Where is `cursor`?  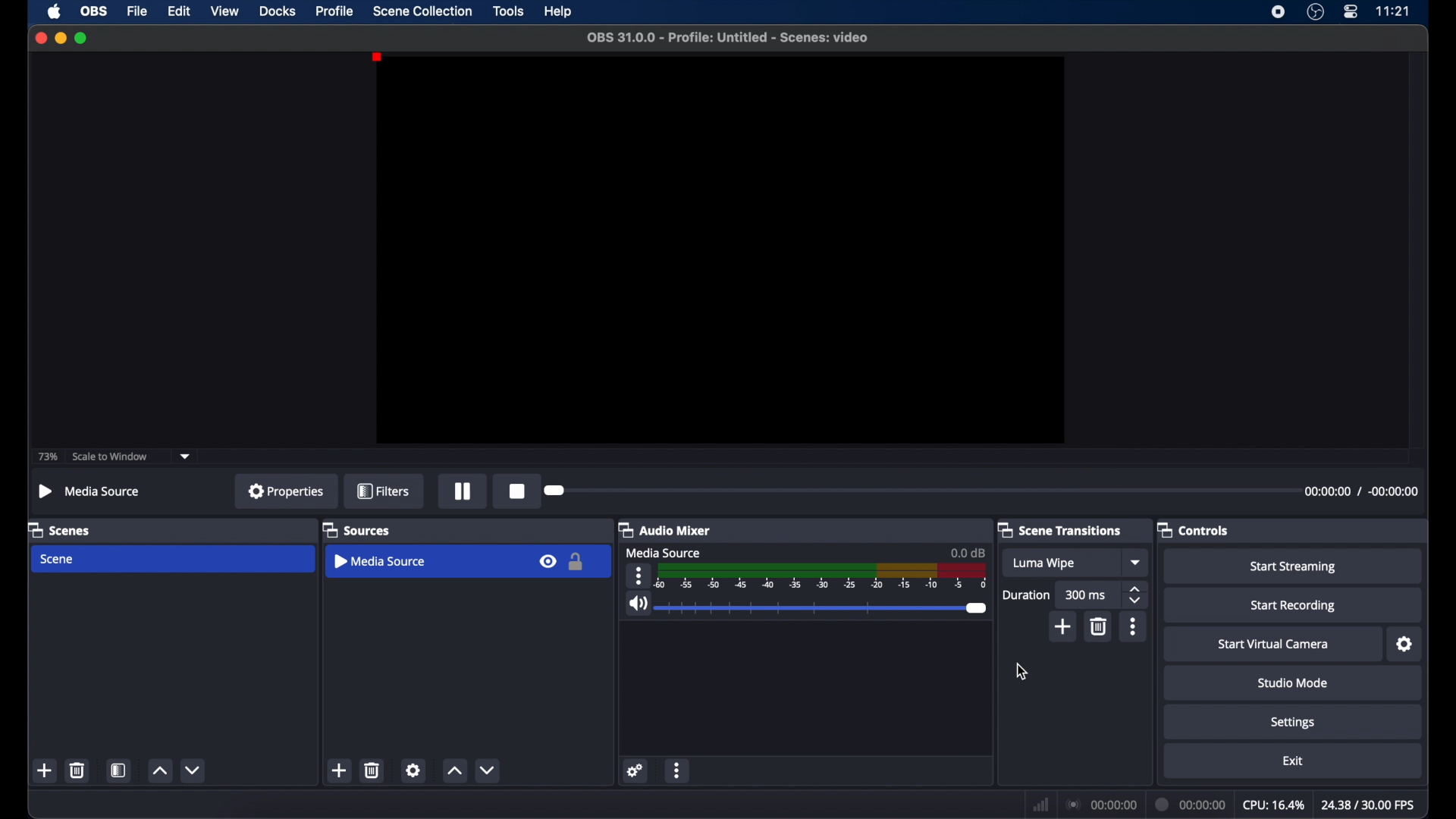
cursor is located at coordinates (1021, 671).